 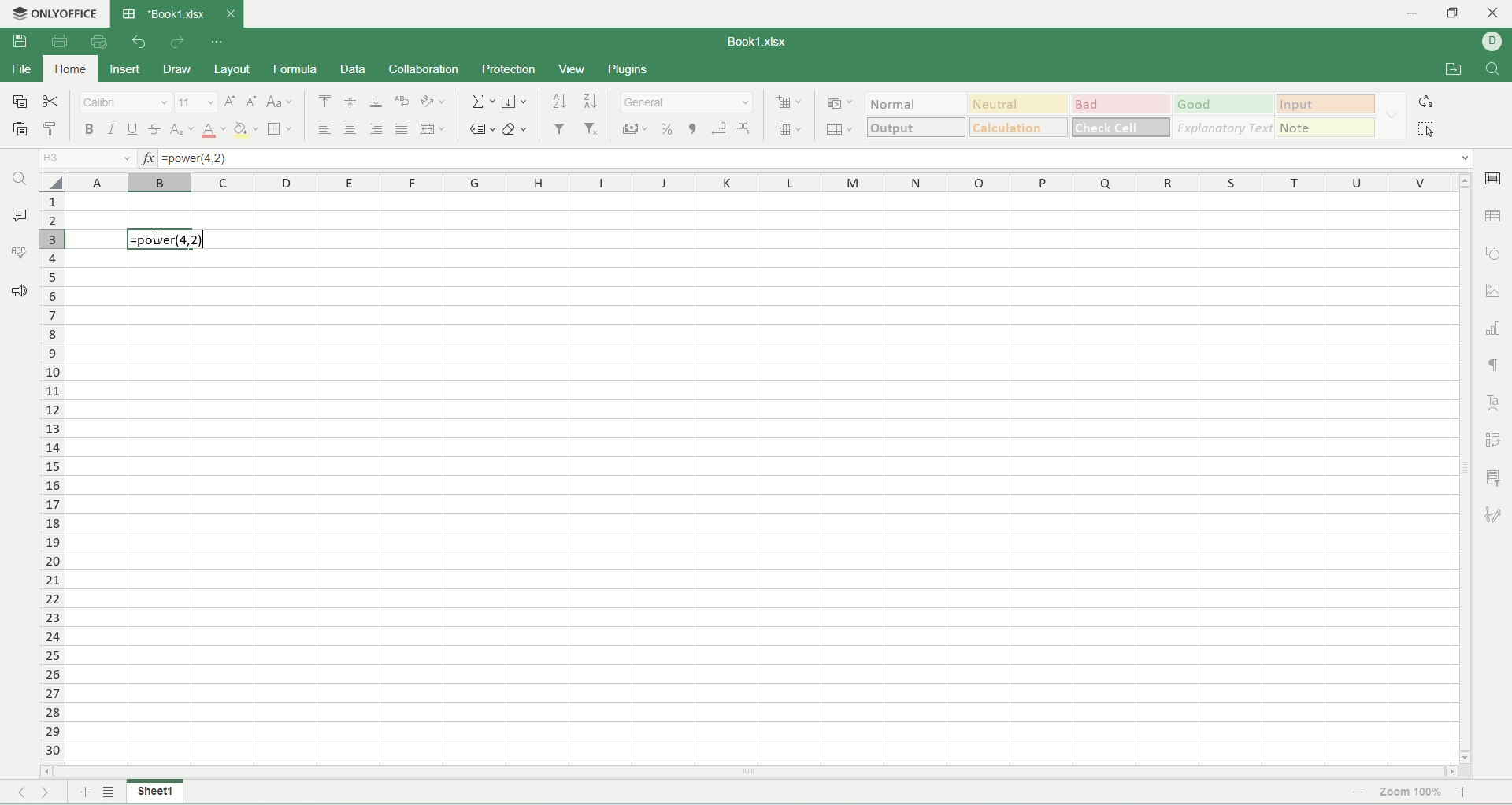 What do you see at coordinates (375, 102) in the screenshot?
I see `align bottom` at bounding box center [375, 102].